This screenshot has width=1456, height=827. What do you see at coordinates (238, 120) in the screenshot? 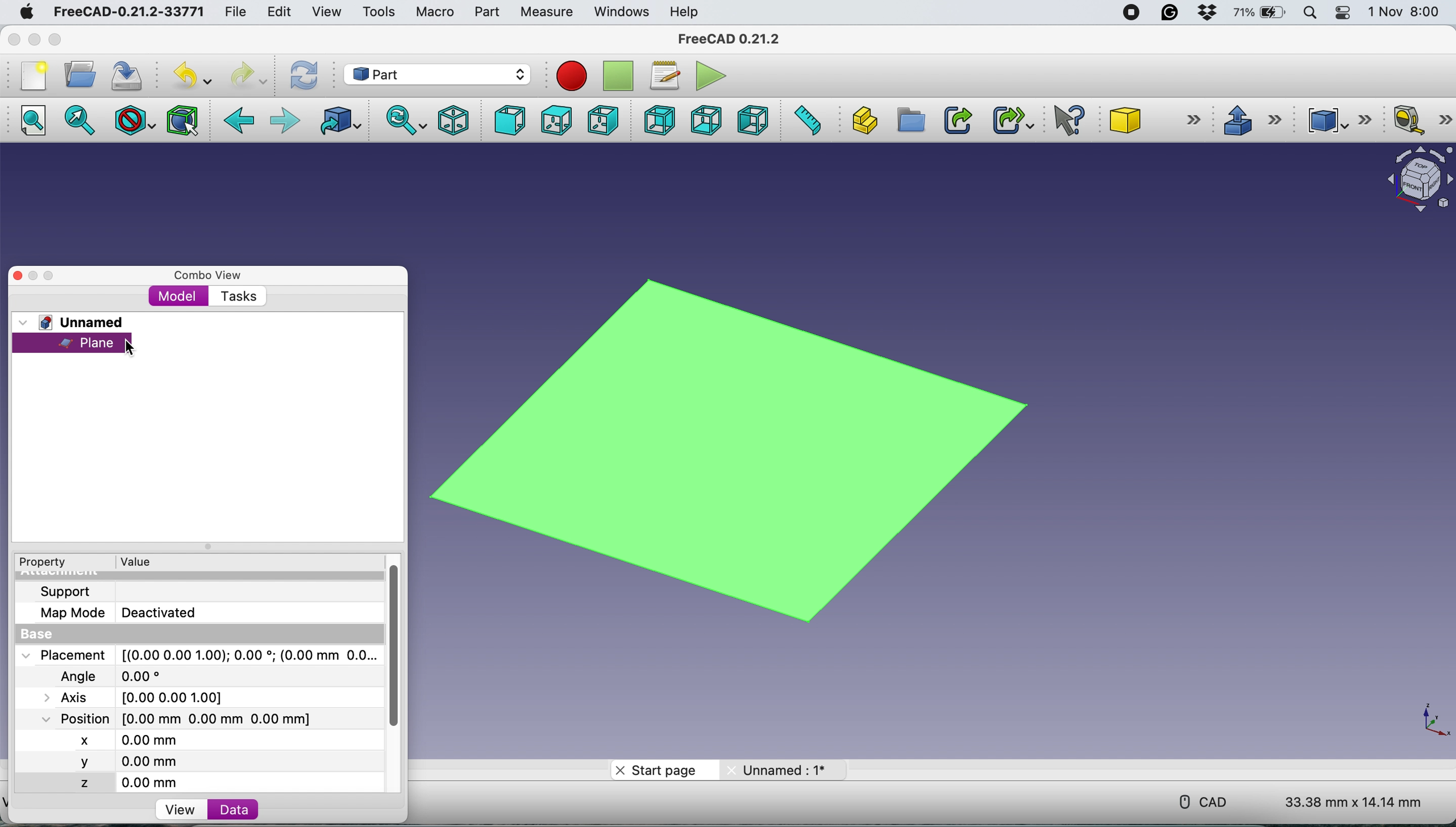
I see `backward` at bounding box center [238, 120].